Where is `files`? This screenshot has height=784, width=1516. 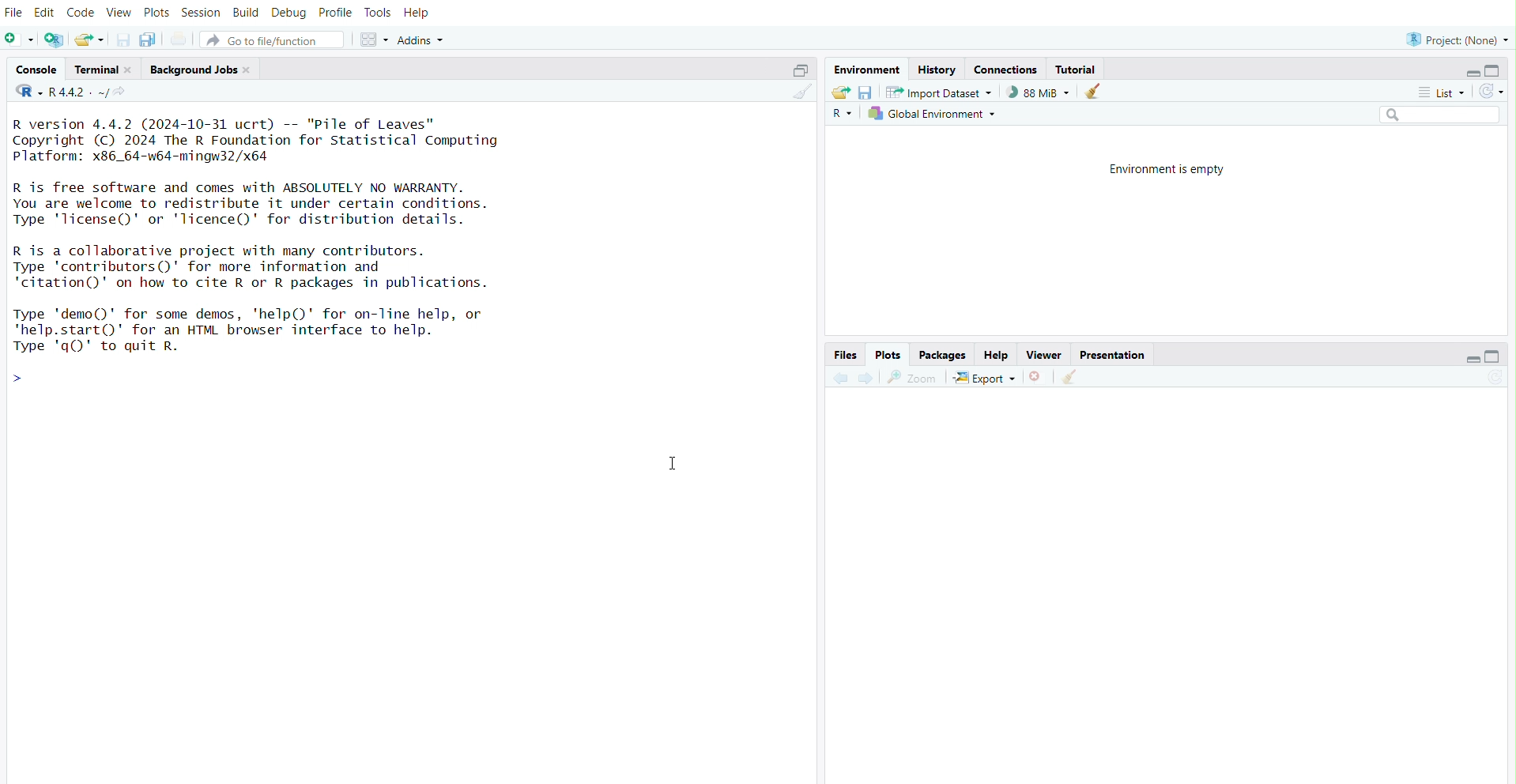
files is located at coordinates (846, 356).